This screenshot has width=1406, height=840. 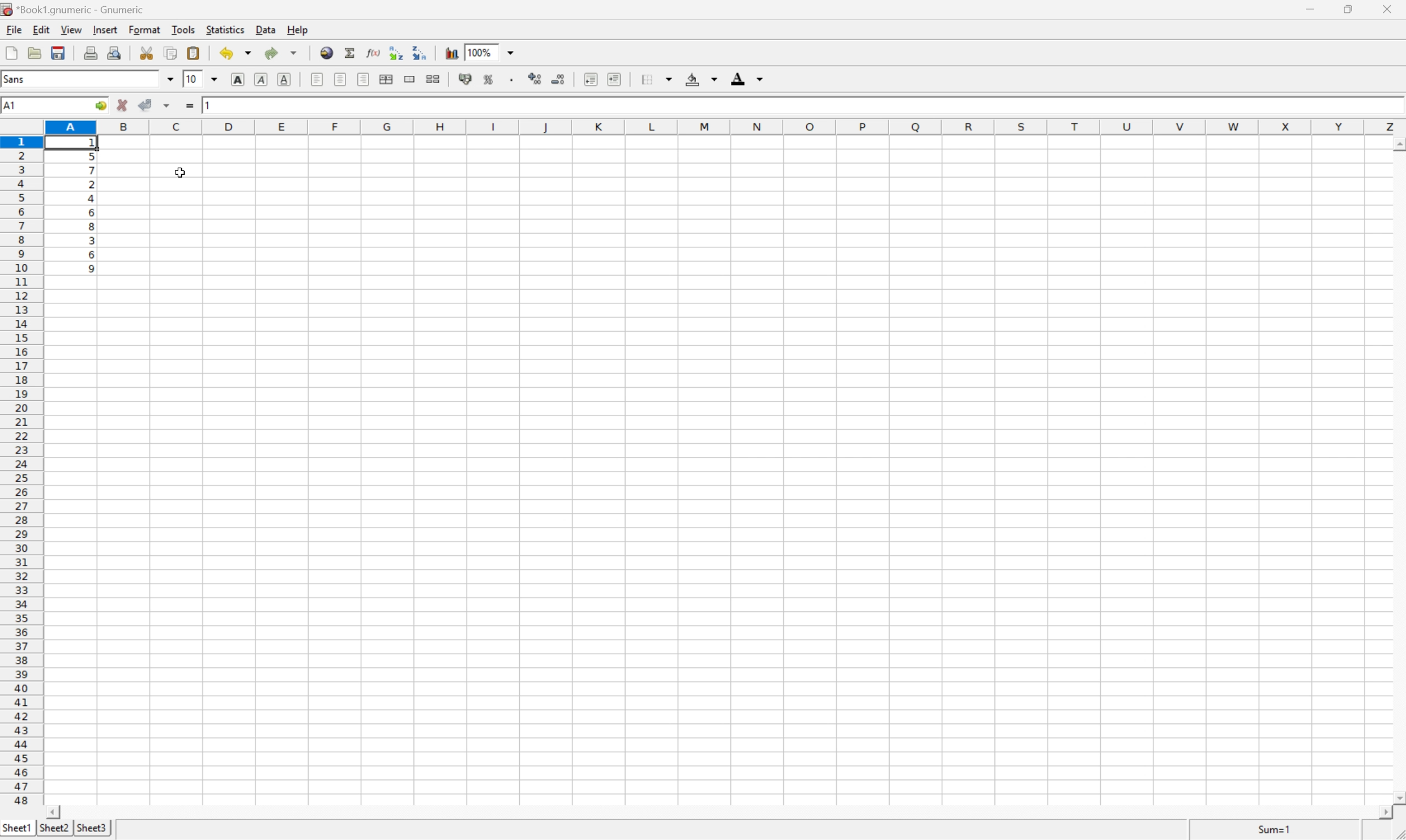 What do you see at coordinates (514, 52) in the screenshot?
I see `drop down` at bounding box center [514, 52].